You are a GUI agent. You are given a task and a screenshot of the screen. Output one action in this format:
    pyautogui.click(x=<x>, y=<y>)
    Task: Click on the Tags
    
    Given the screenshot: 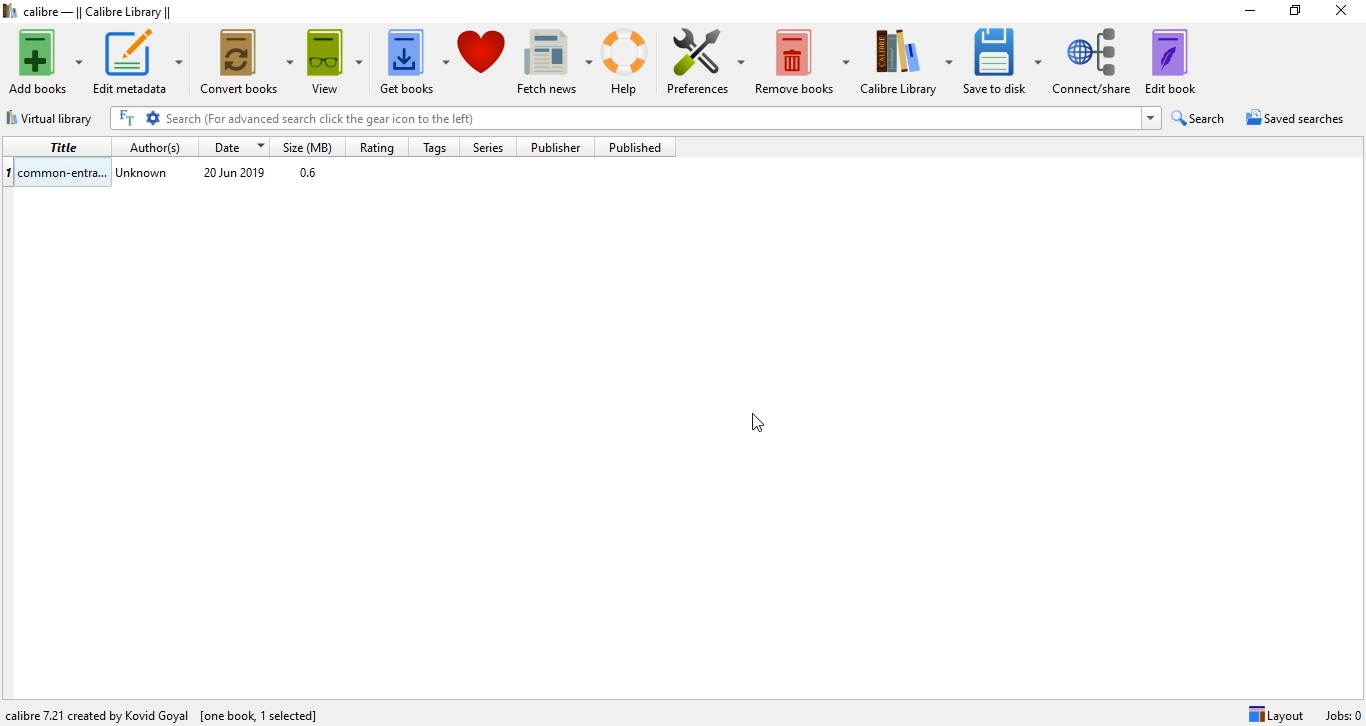 What is the action you would take?
    pyautogui.click(x=434, y=146)
    